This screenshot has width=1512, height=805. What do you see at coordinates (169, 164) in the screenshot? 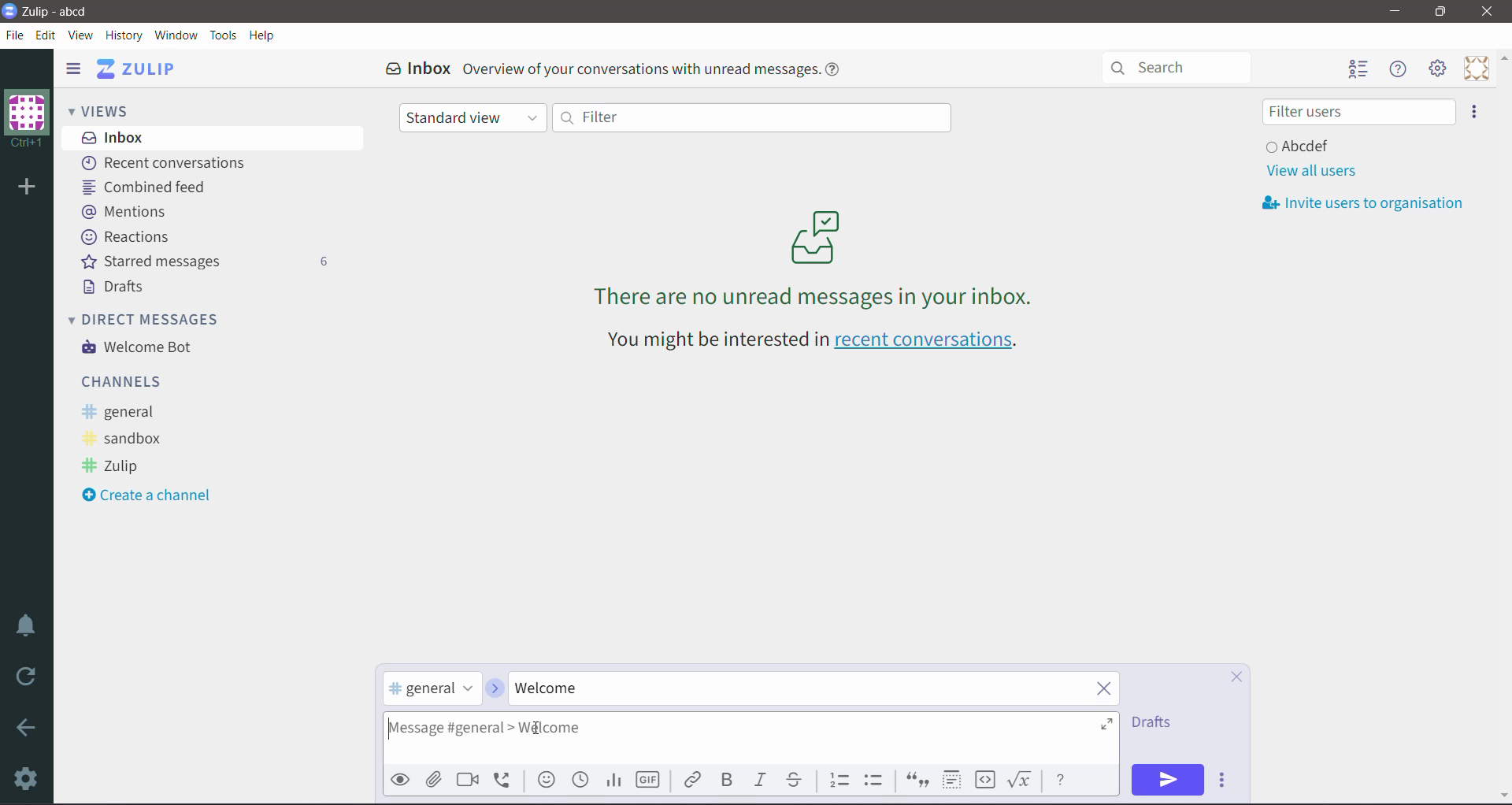
I see `Recent conversations` at bounding box center [169, 164].